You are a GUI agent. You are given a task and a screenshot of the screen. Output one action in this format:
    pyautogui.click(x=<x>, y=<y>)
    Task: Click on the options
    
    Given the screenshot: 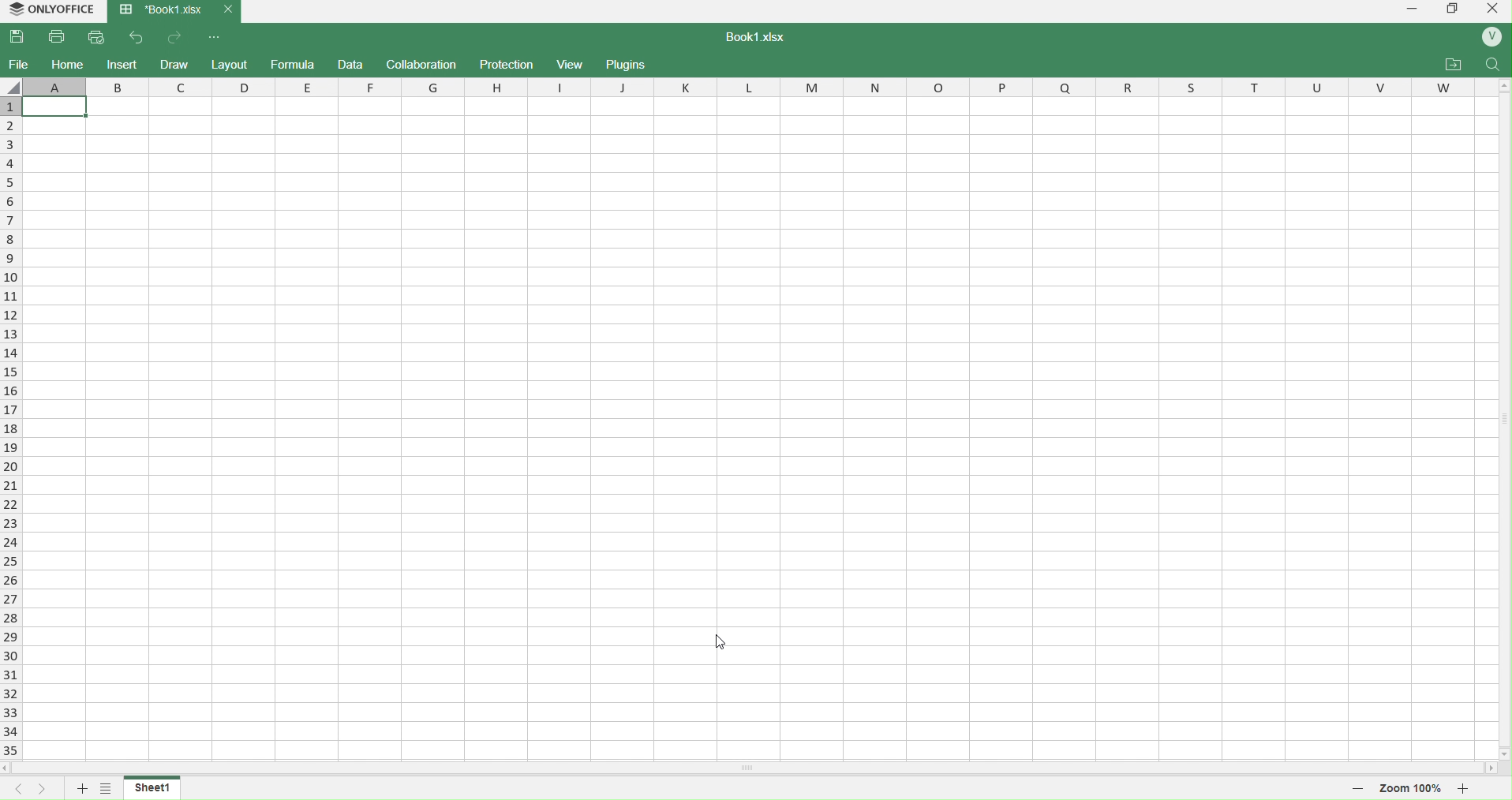 What is the action you would take?
    pyautogui.click(x=105, y=790)
    